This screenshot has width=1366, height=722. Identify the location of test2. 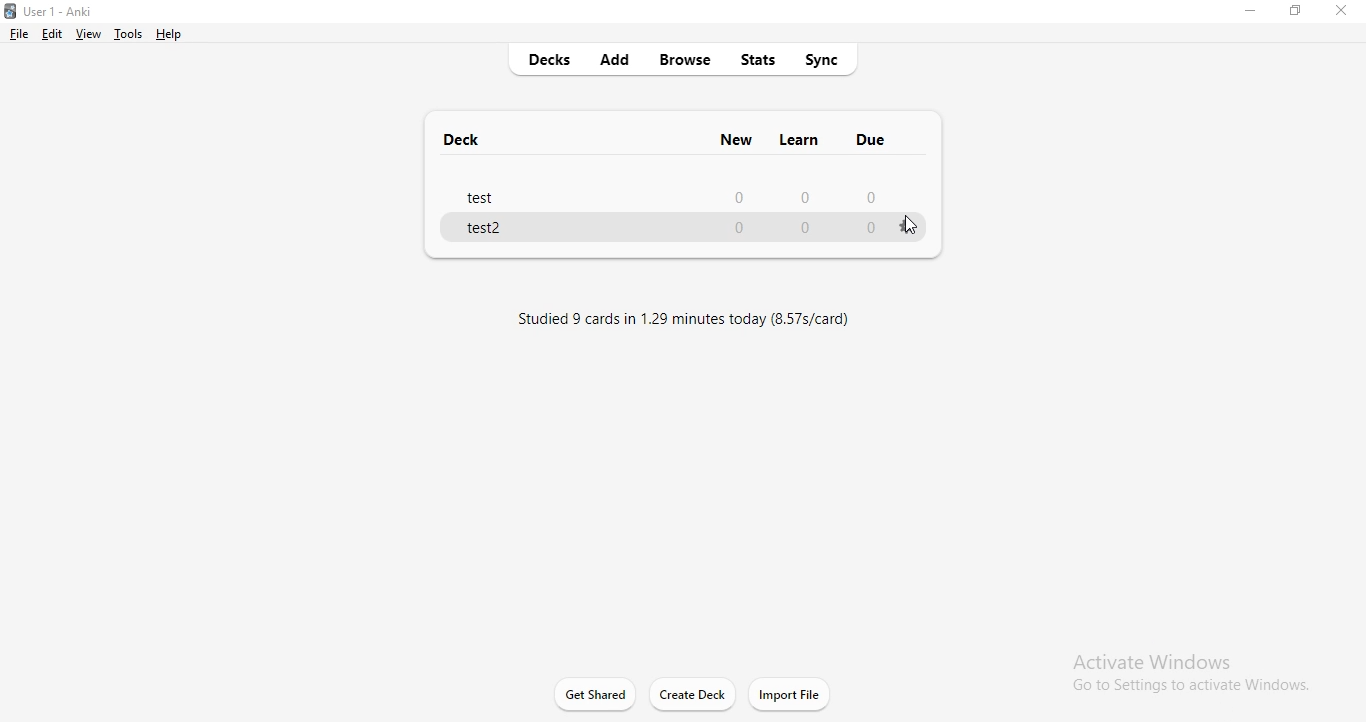
(486, 231).